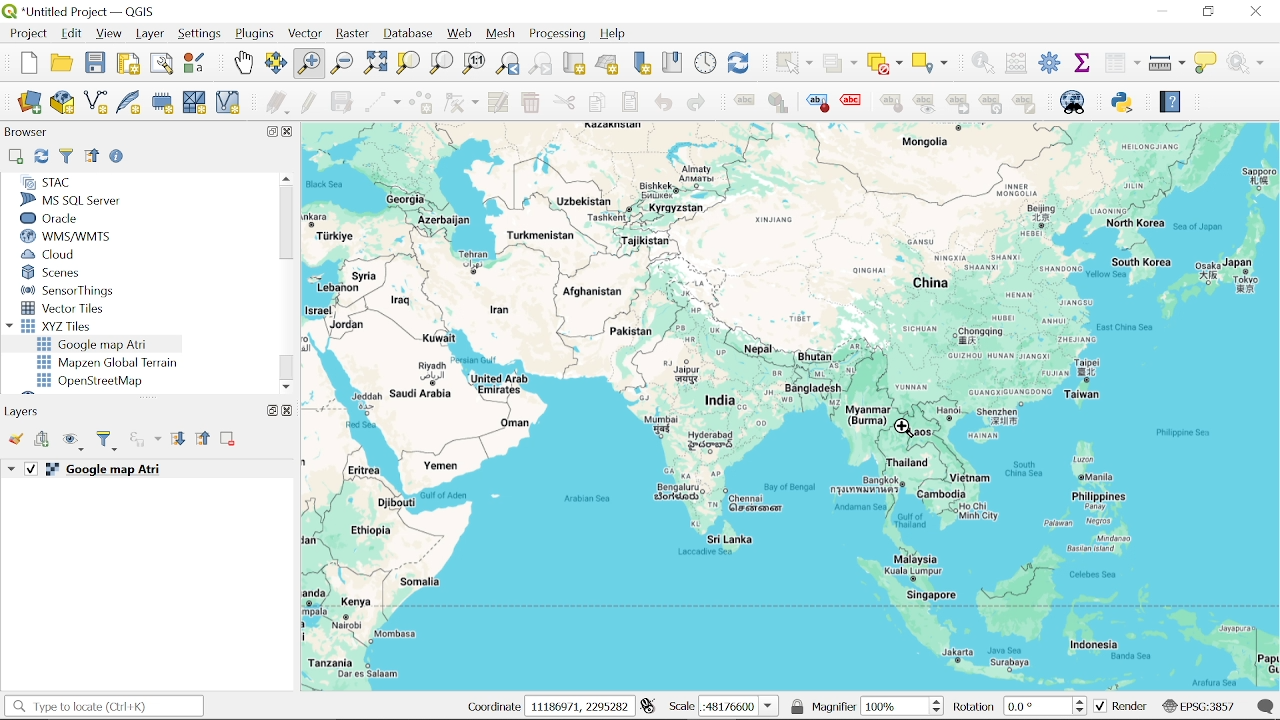 The width and height of the screenshot is (1280, 720). Describe the element at coordinates (268, 410) in the screenshot. I see `Restore down` at that location.